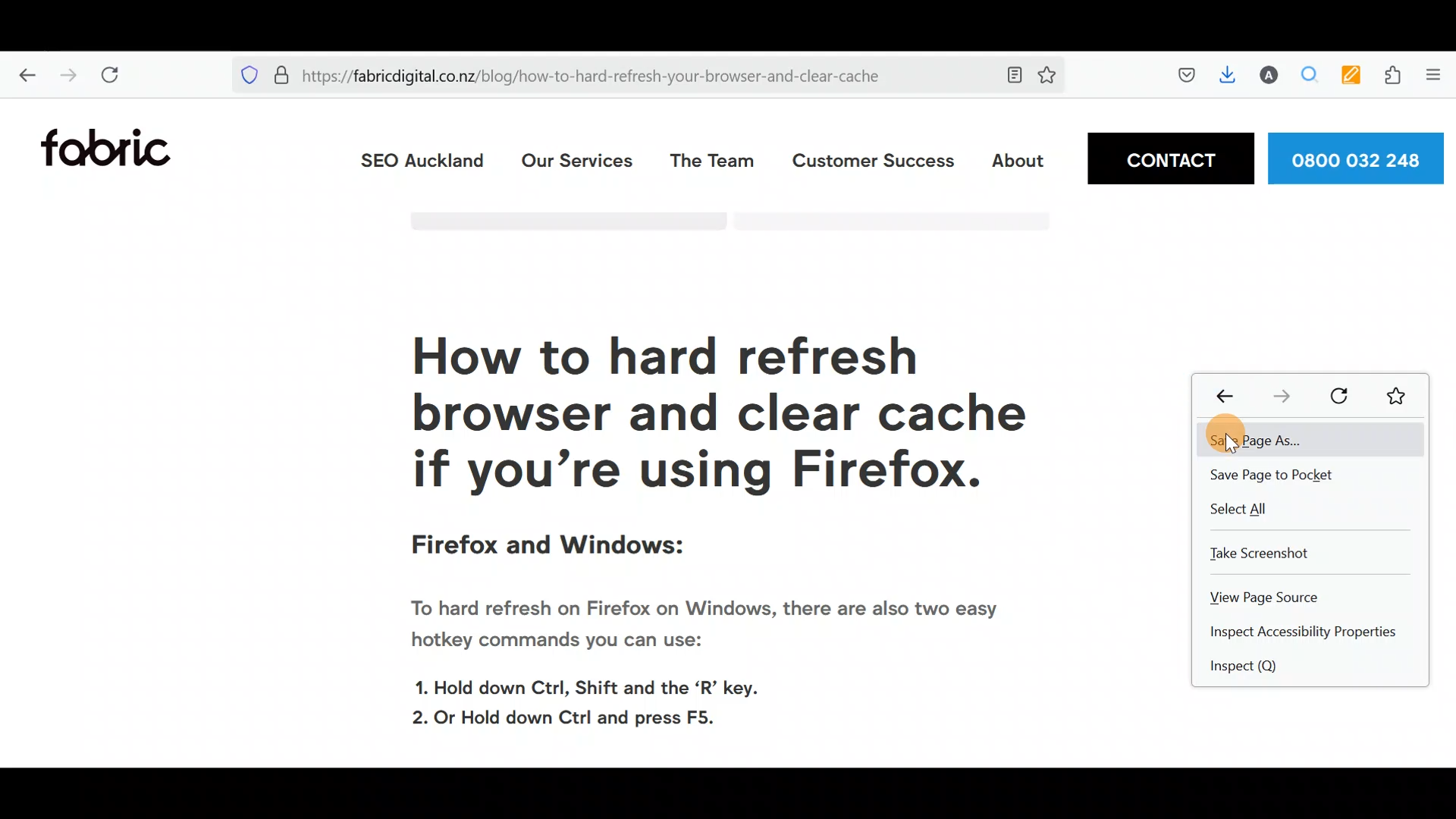 Image resolution: width=1456 pixels, height=819 pixels. I want to click on Save to pocket, so click(1184, 77).